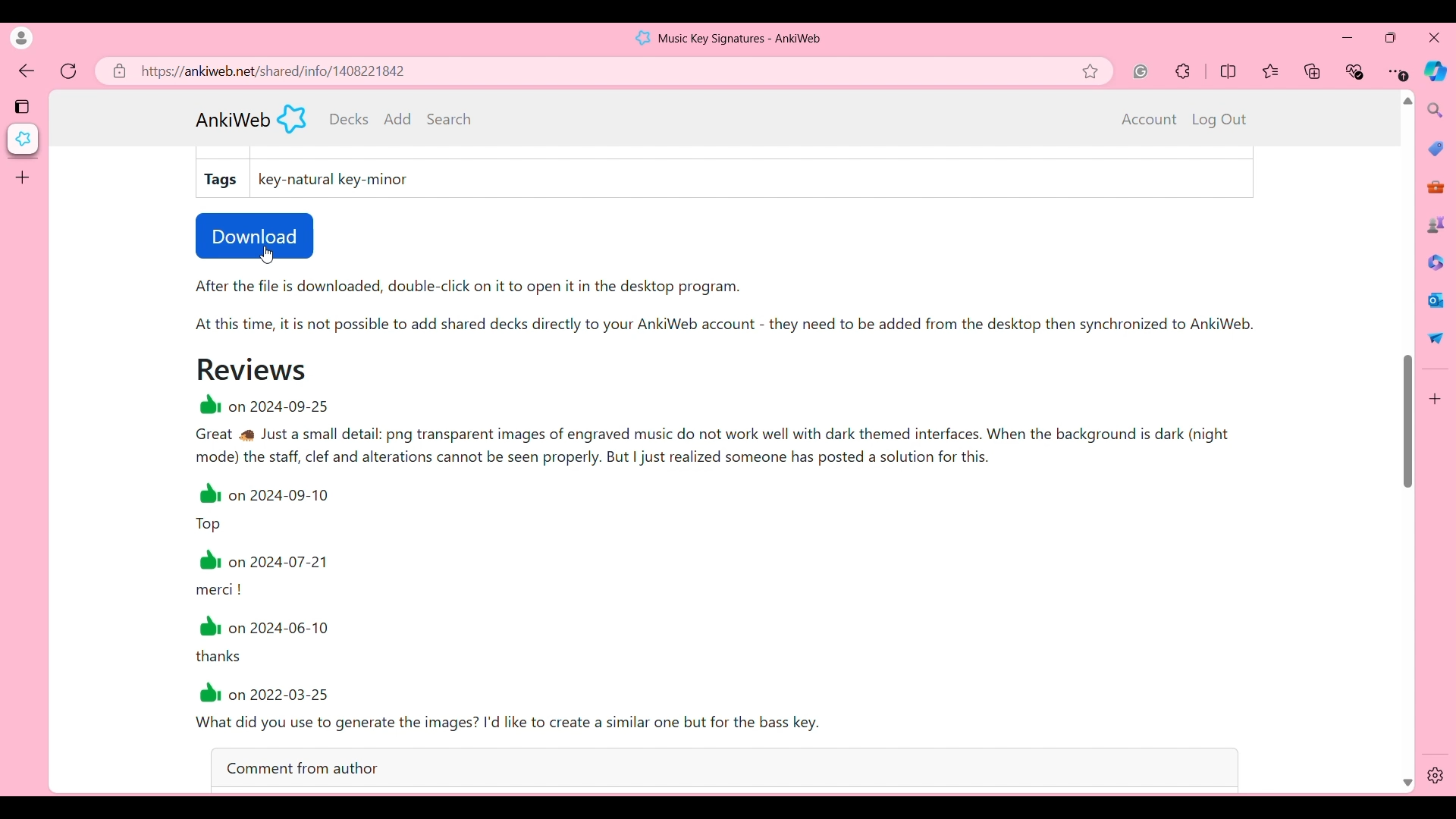 The height and width of the screenshot is (819, 1456). What do you see at coordinates (449, 118) in the screenshot?
I see `Search` at bounding box center [449, 118].